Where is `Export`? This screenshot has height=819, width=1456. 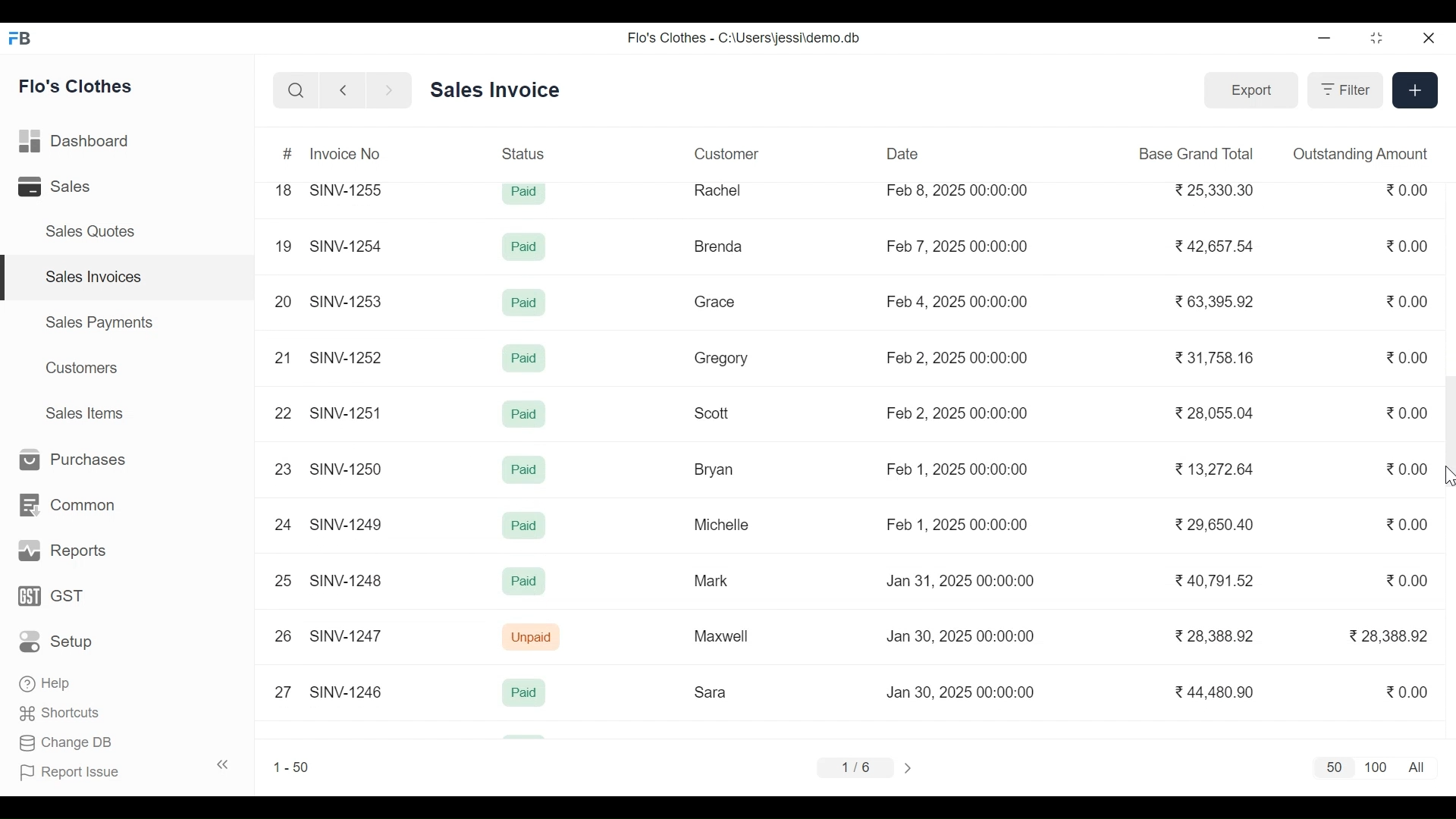 Export is located at coordinates (1248, 89).